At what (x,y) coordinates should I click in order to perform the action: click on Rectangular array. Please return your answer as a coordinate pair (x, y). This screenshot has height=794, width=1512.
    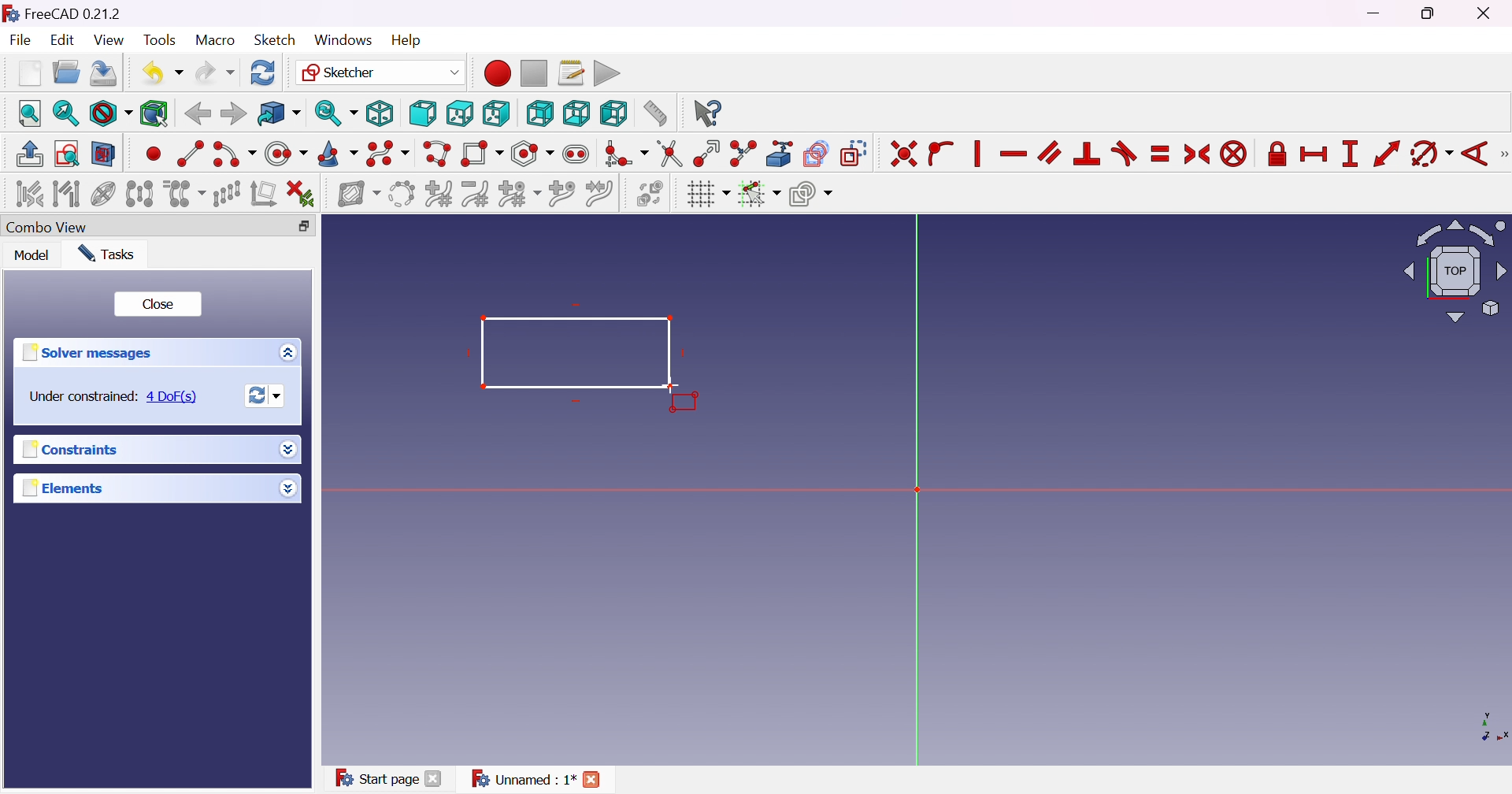
    Looking at the image, I should click on (228, 194).